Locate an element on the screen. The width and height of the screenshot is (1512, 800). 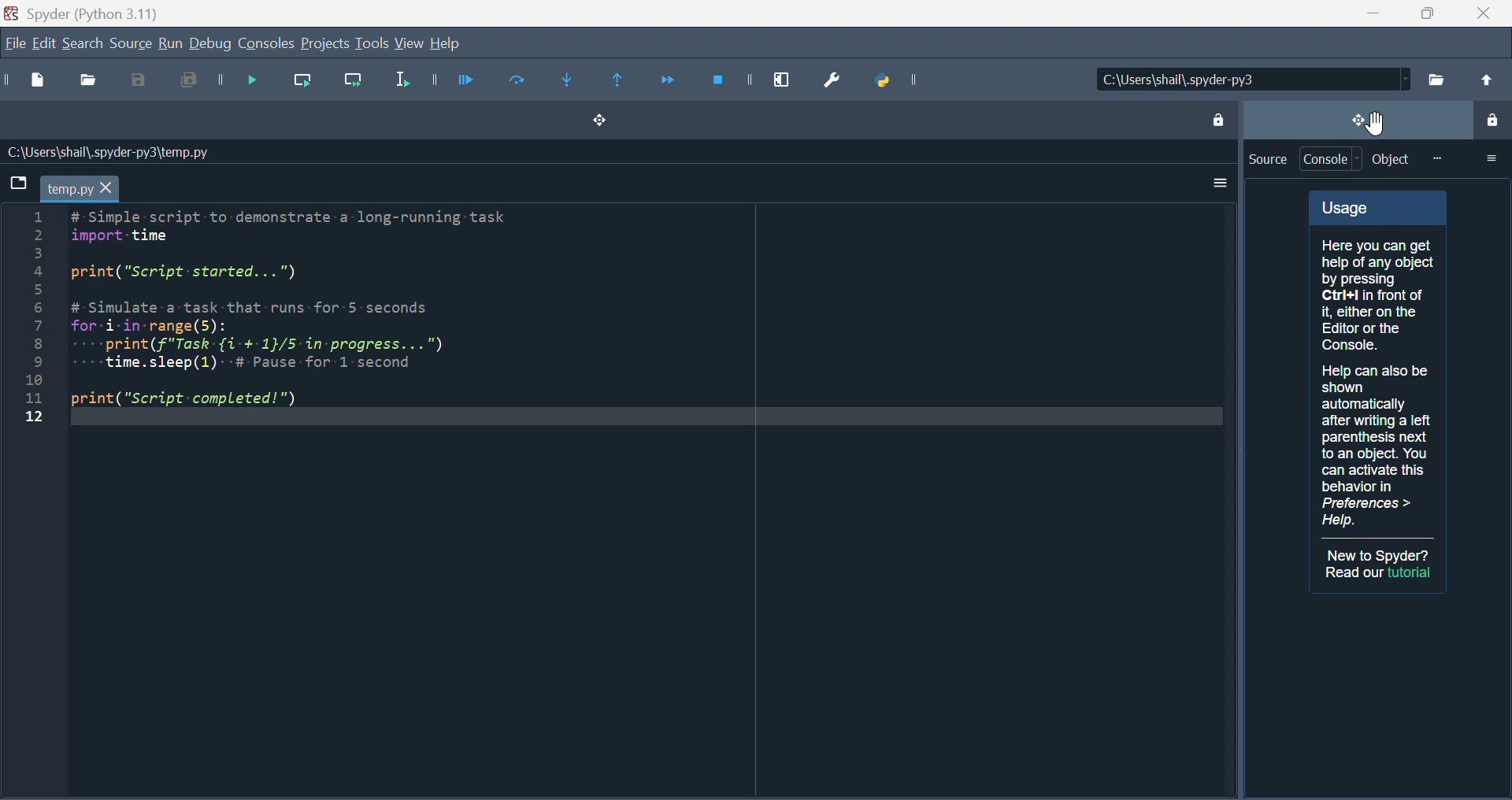
Console is located at coordinates (267, 44).